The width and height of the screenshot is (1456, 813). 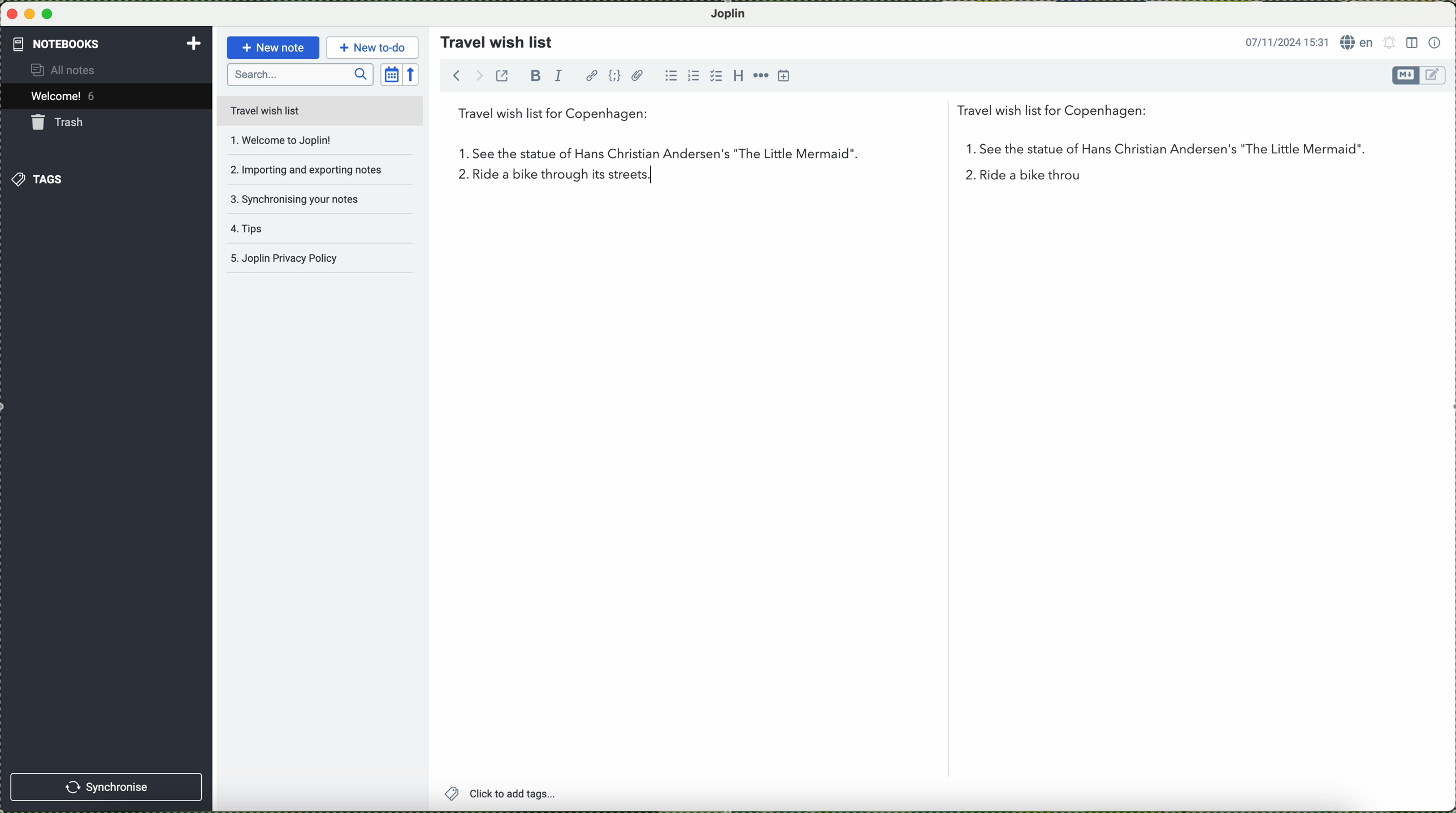 What do you see at coordinates (1037, 178) in the screenshot?
I see `2 in the list` at bounding box center [1037, 178].